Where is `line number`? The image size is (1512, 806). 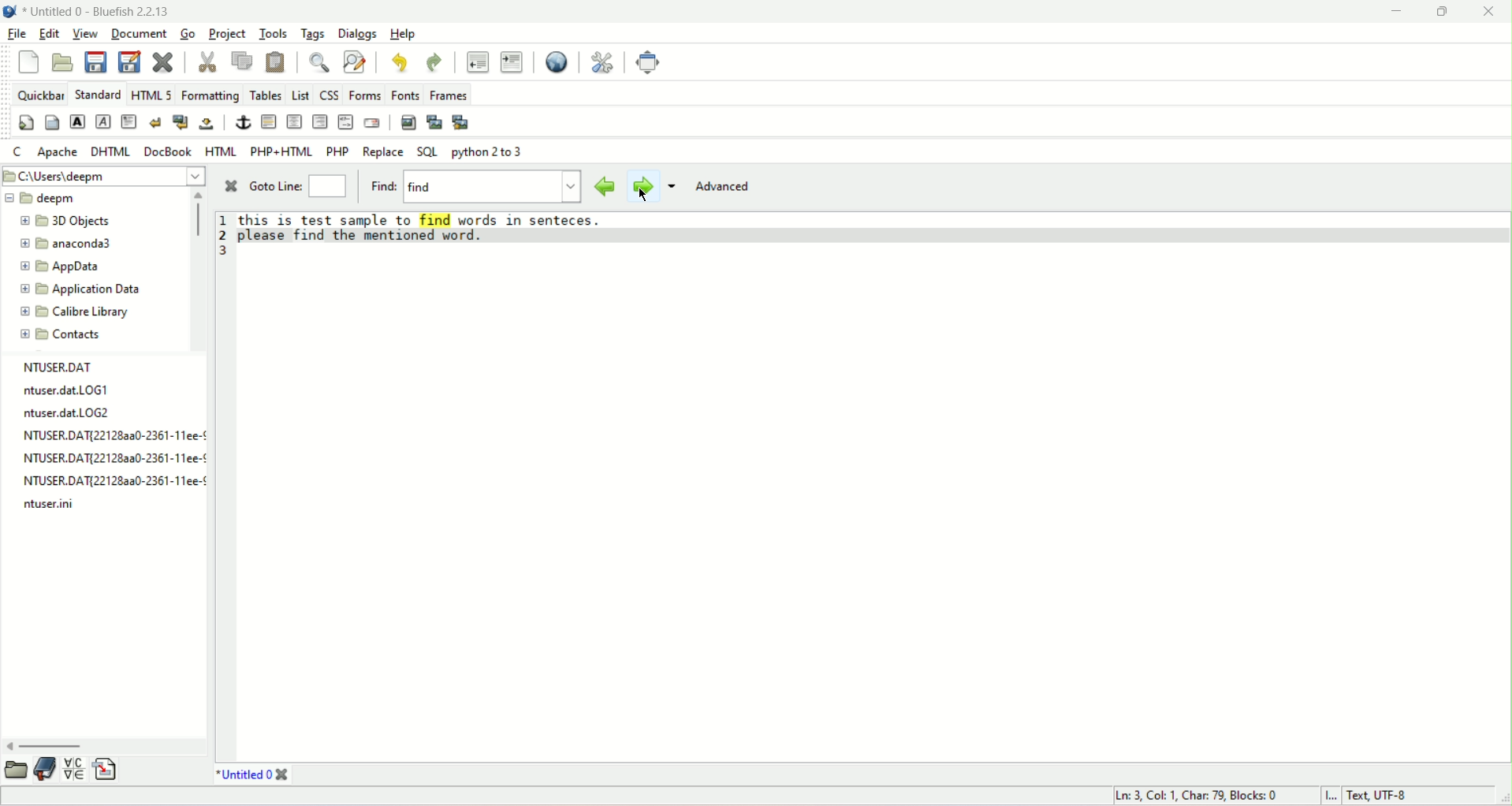
line number is located at coordinates (219, 237).